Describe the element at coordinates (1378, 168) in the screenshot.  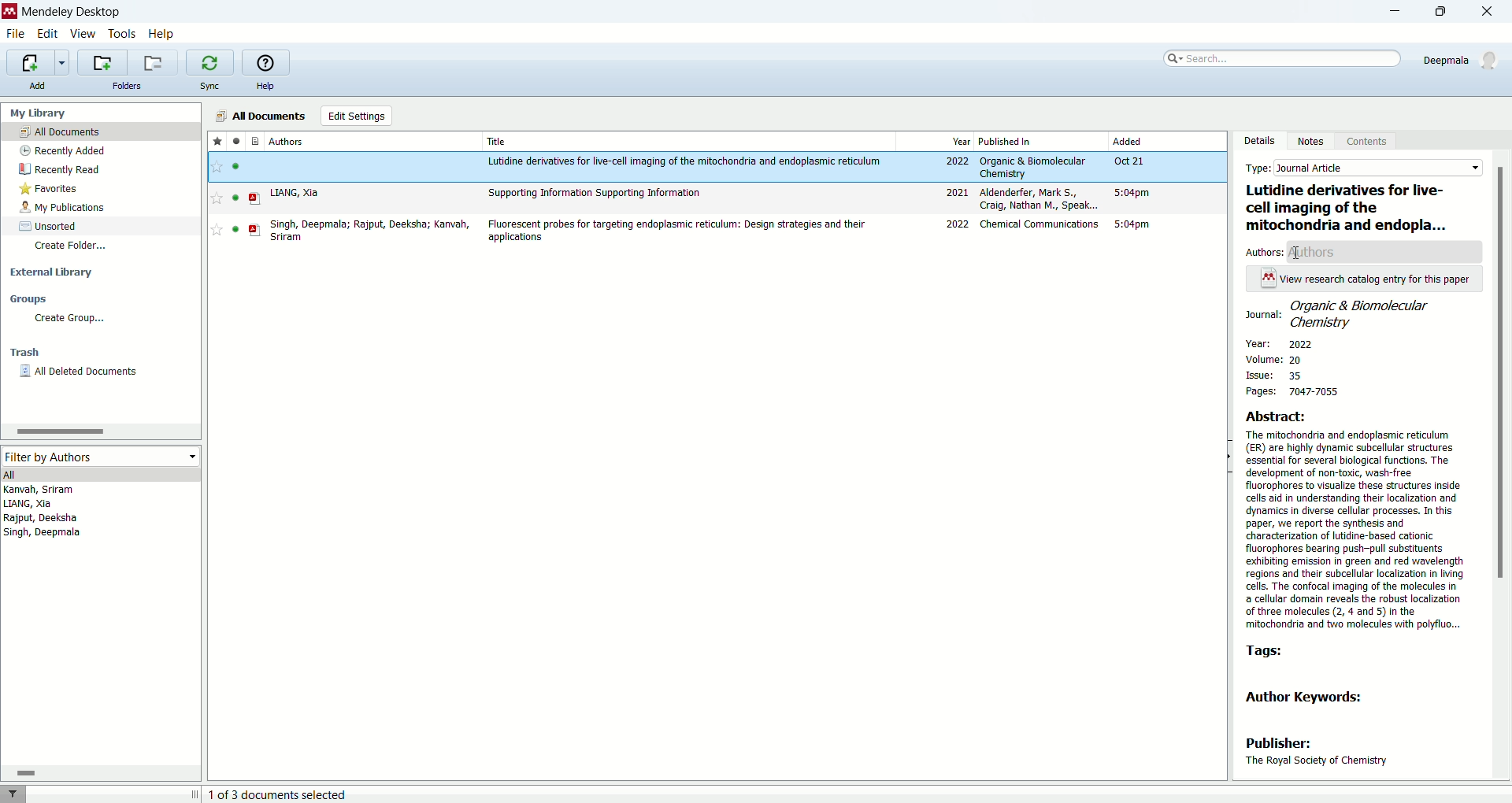
I see `Journal article` at that location.